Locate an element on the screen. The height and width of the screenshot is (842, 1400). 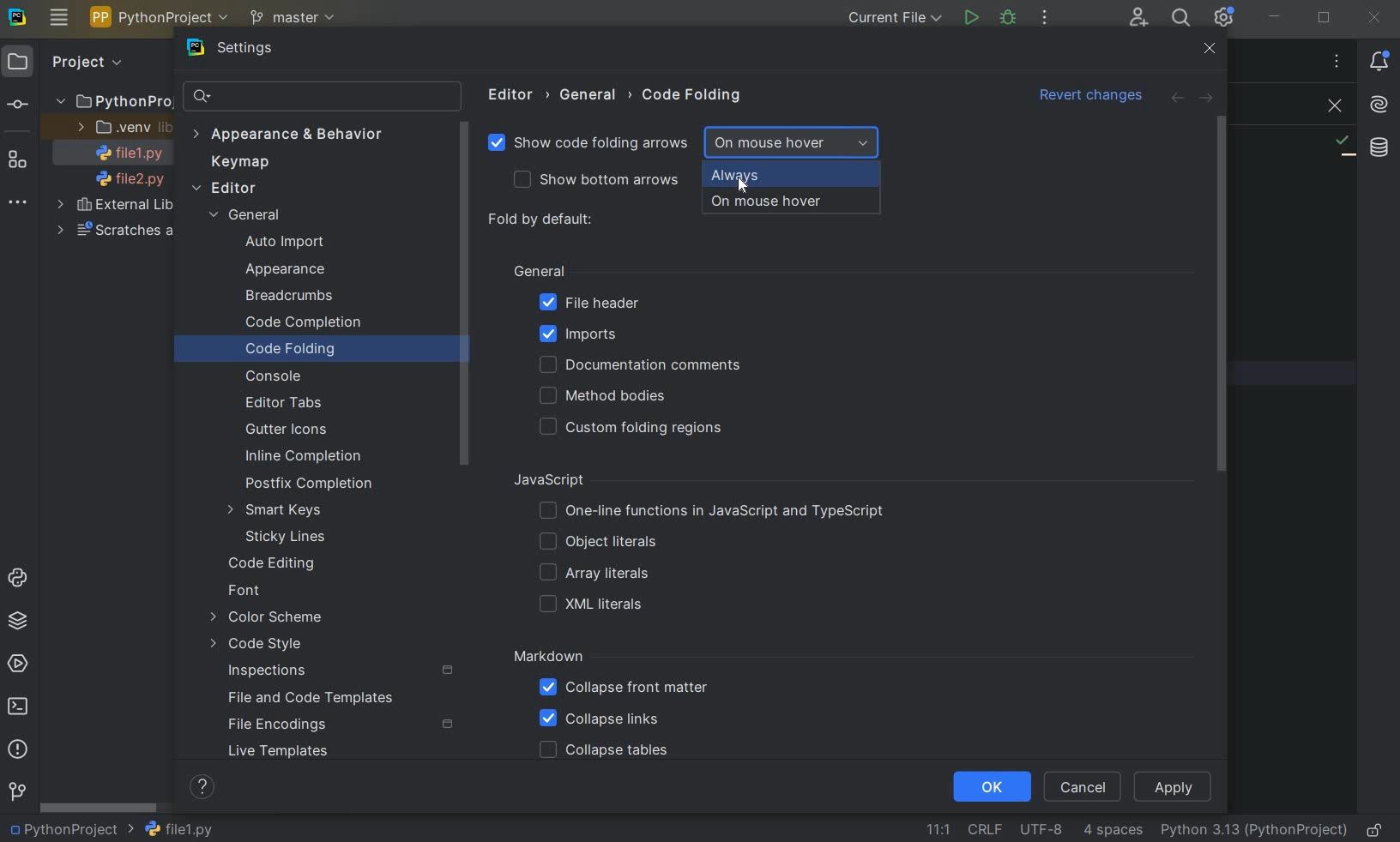
SEARCH SETTINGS is located at coordinates (321, 98).